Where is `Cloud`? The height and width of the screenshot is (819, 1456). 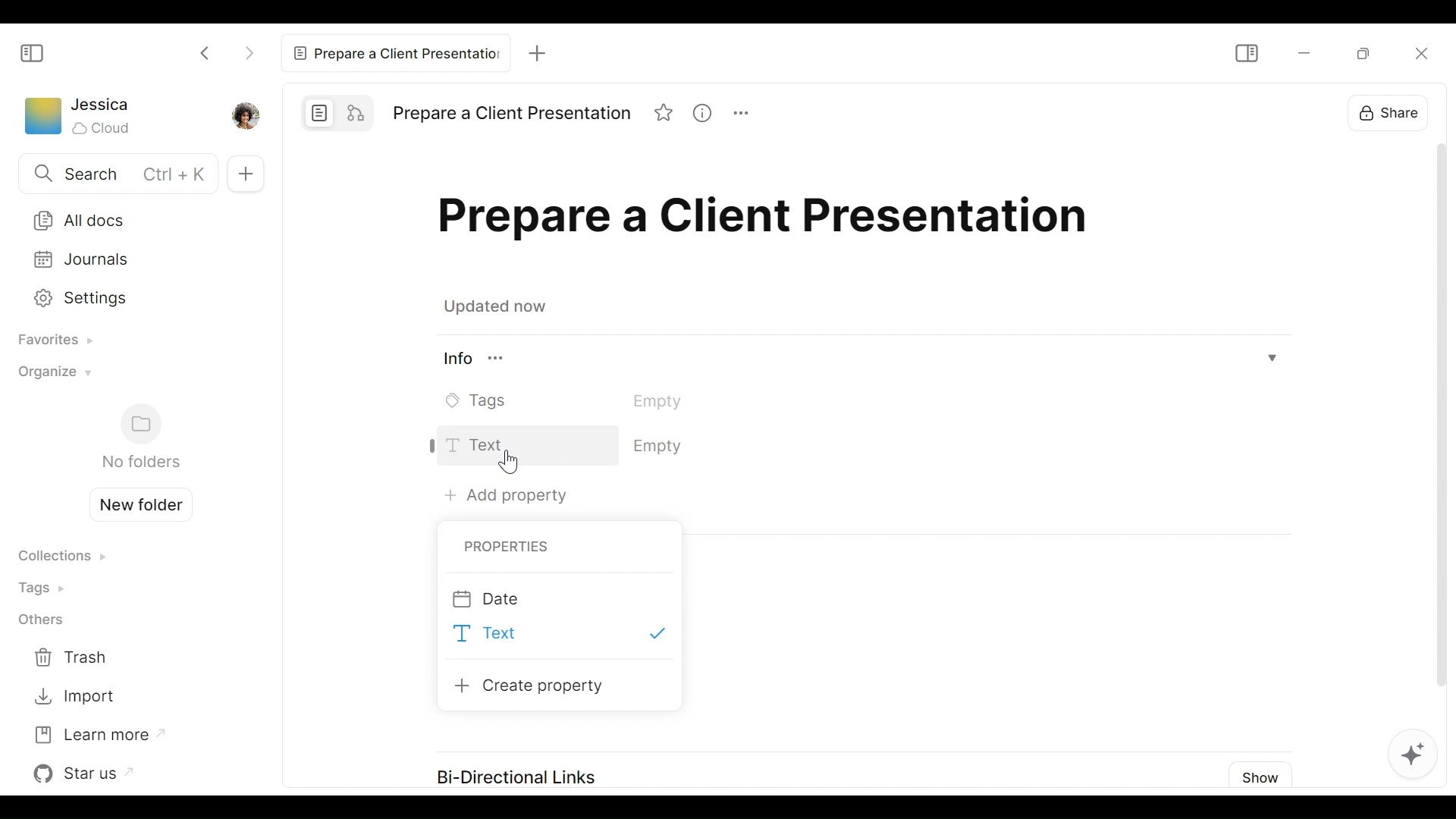
Cloud is located at coordinates (103, 128).